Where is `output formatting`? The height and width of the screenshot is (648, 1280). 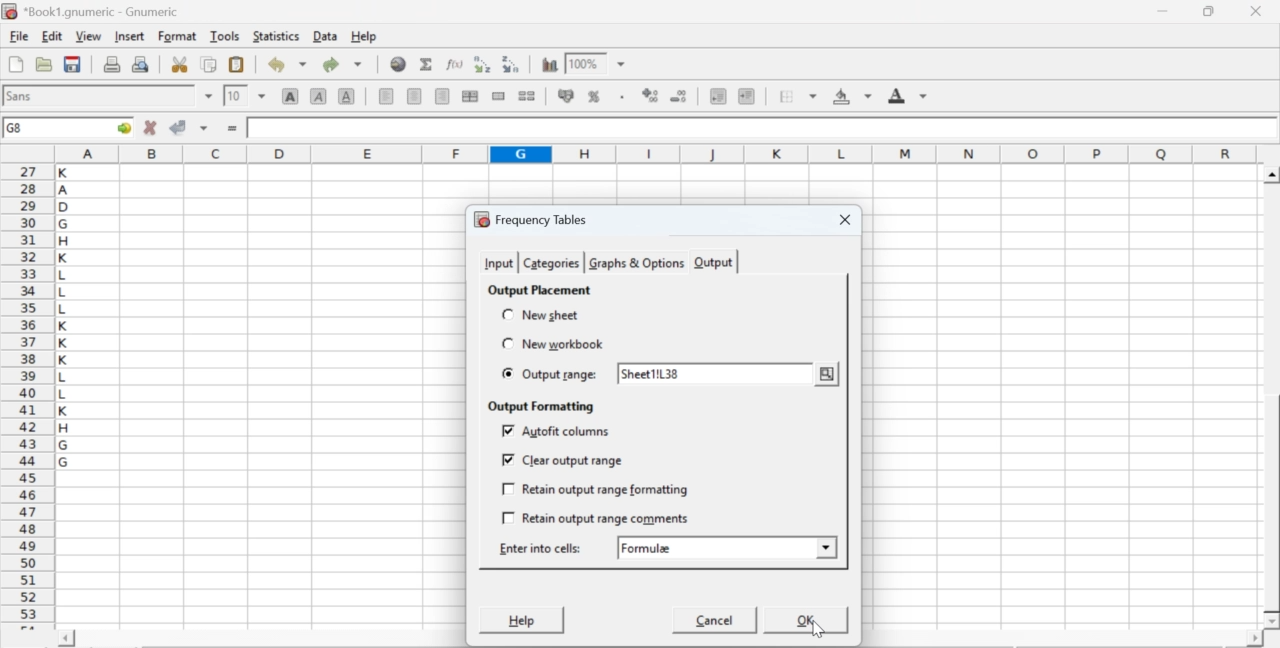
output formatting is located at coordinates (537, 407).